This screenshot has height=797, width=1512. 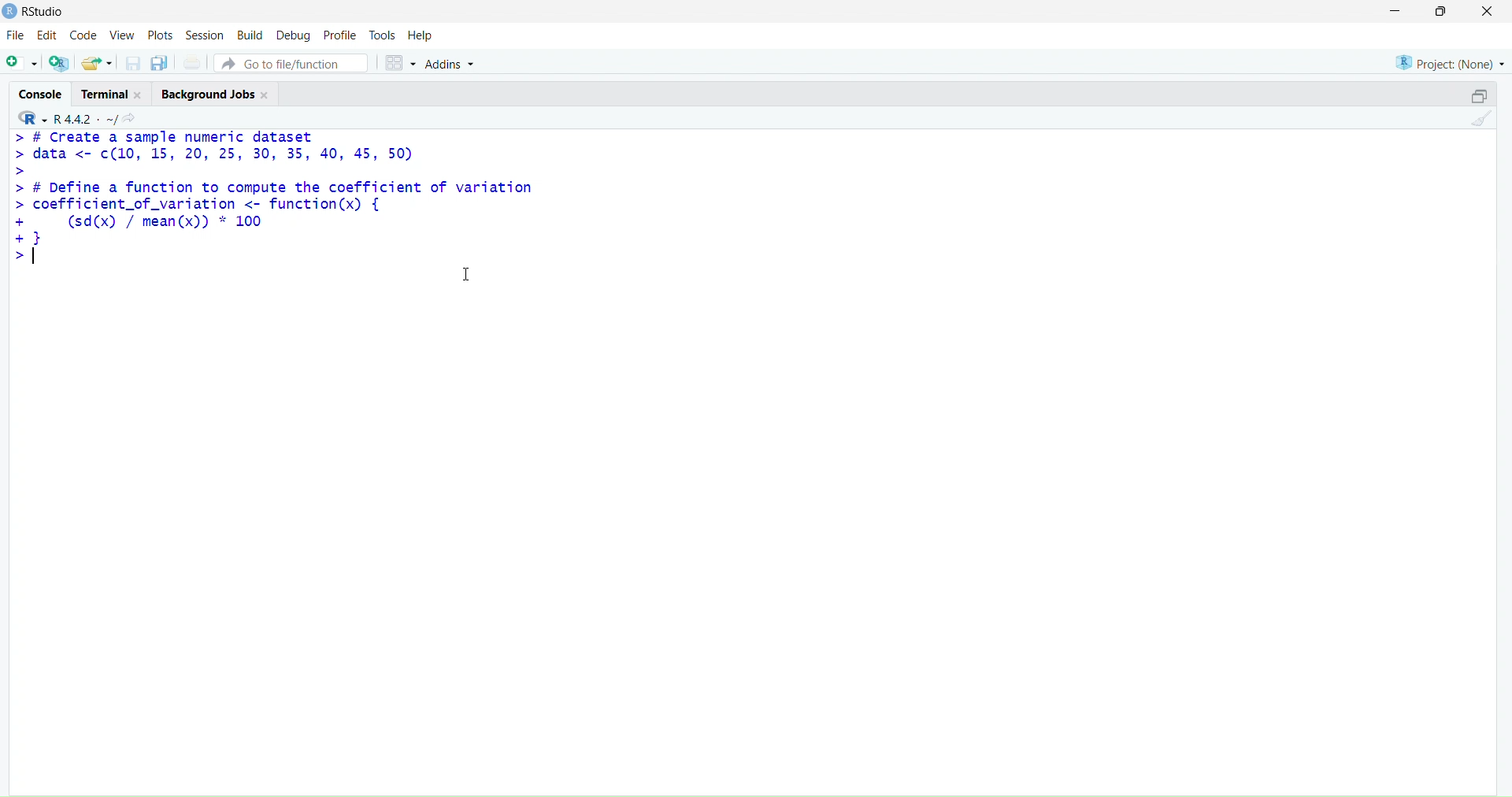 I want to click on logo, so click(x=11, y=11).